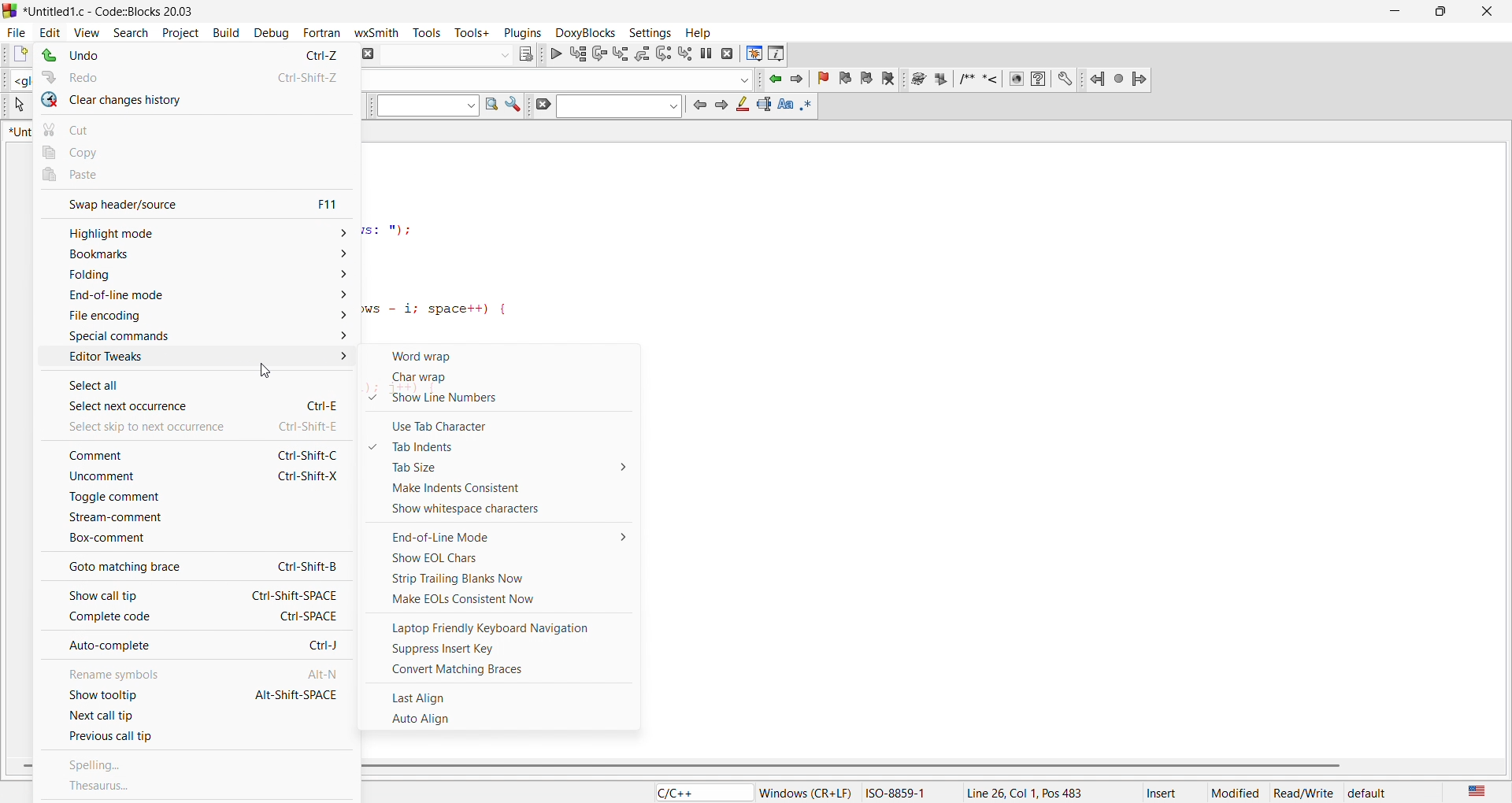 Image resolution: width=1512 pixels, height=803 pixels. I want to click on stream comment , so click(192, 521).